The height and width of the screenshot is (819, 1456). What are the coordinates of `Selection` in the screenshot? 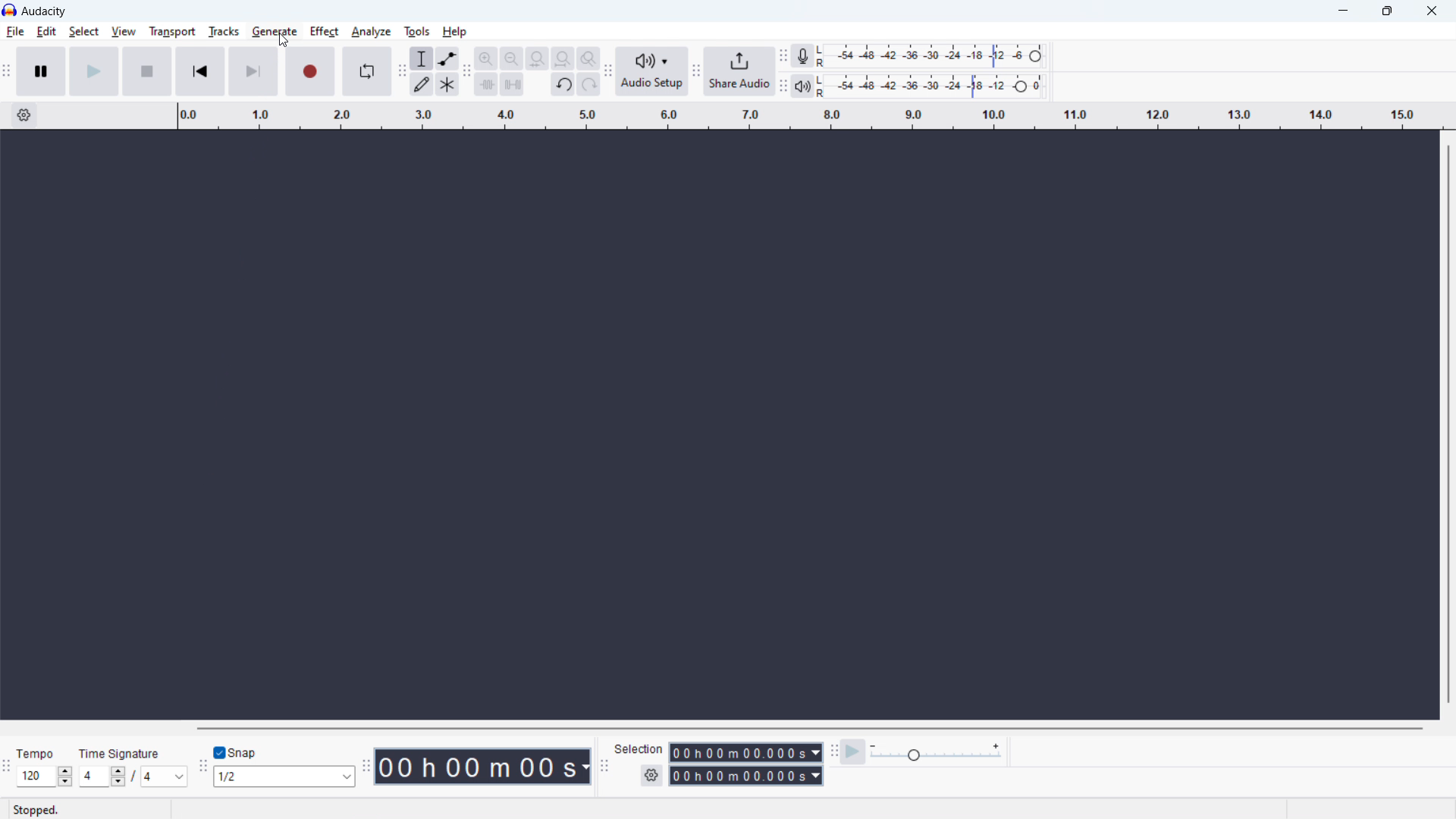 It's located at (640, 748).